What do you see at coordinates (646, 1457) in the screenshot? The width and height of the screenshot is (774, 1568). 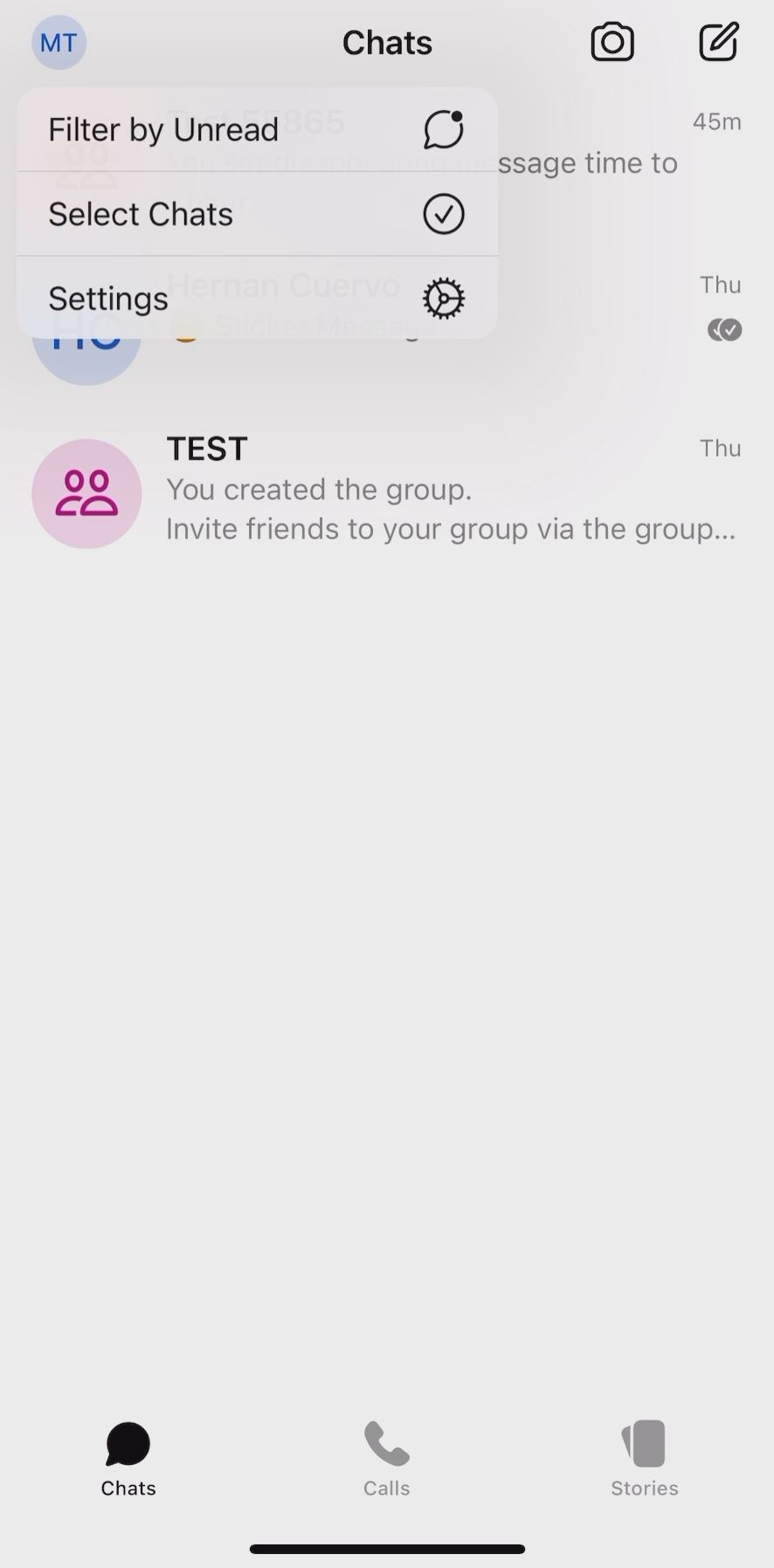 I see `stories` at bounding box center [646, 1457].